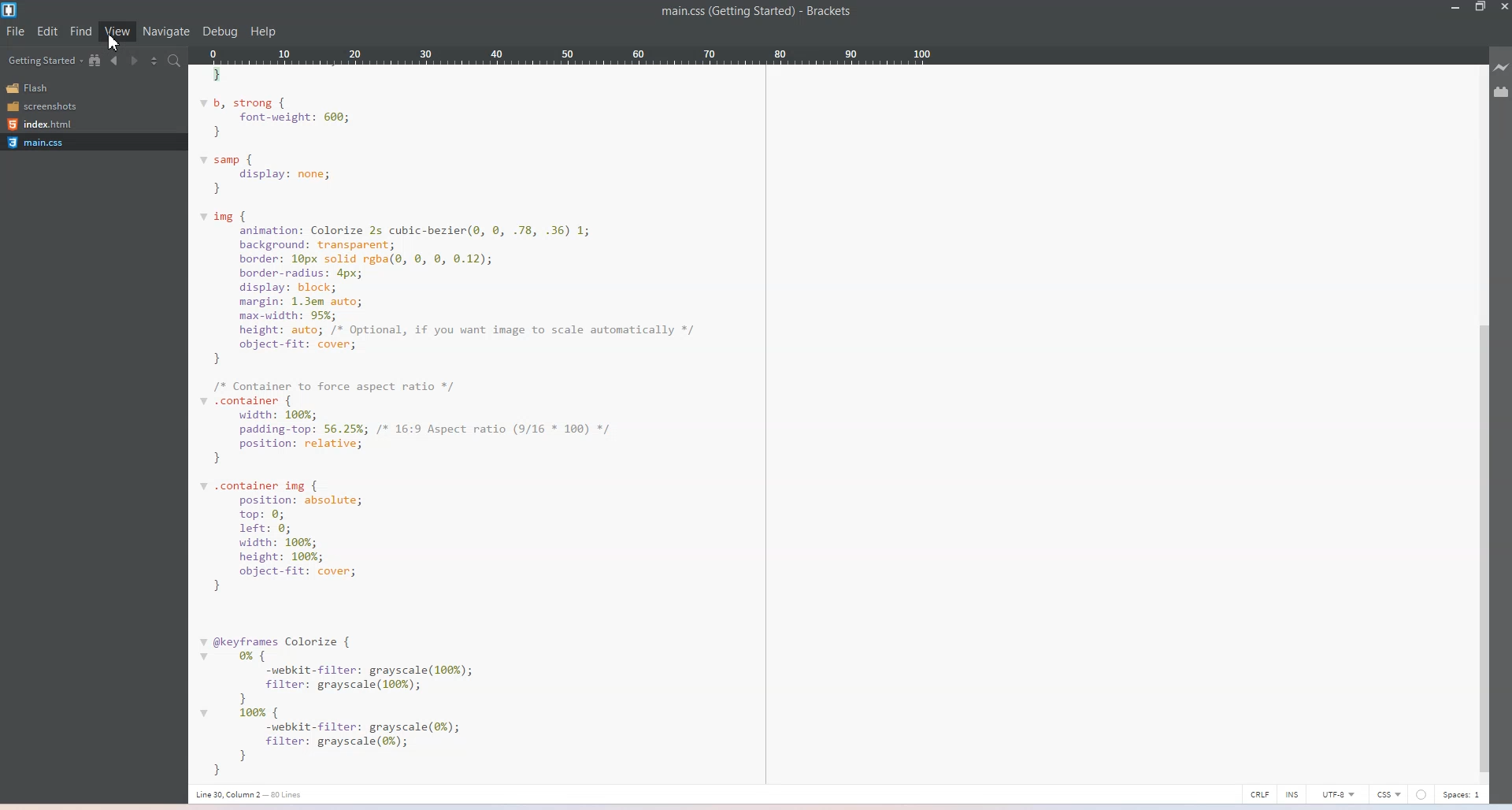 The image size is (1512, 810). Describe the element at coordinates (47, 87) in the screenshot. I see `Flash` at that location.